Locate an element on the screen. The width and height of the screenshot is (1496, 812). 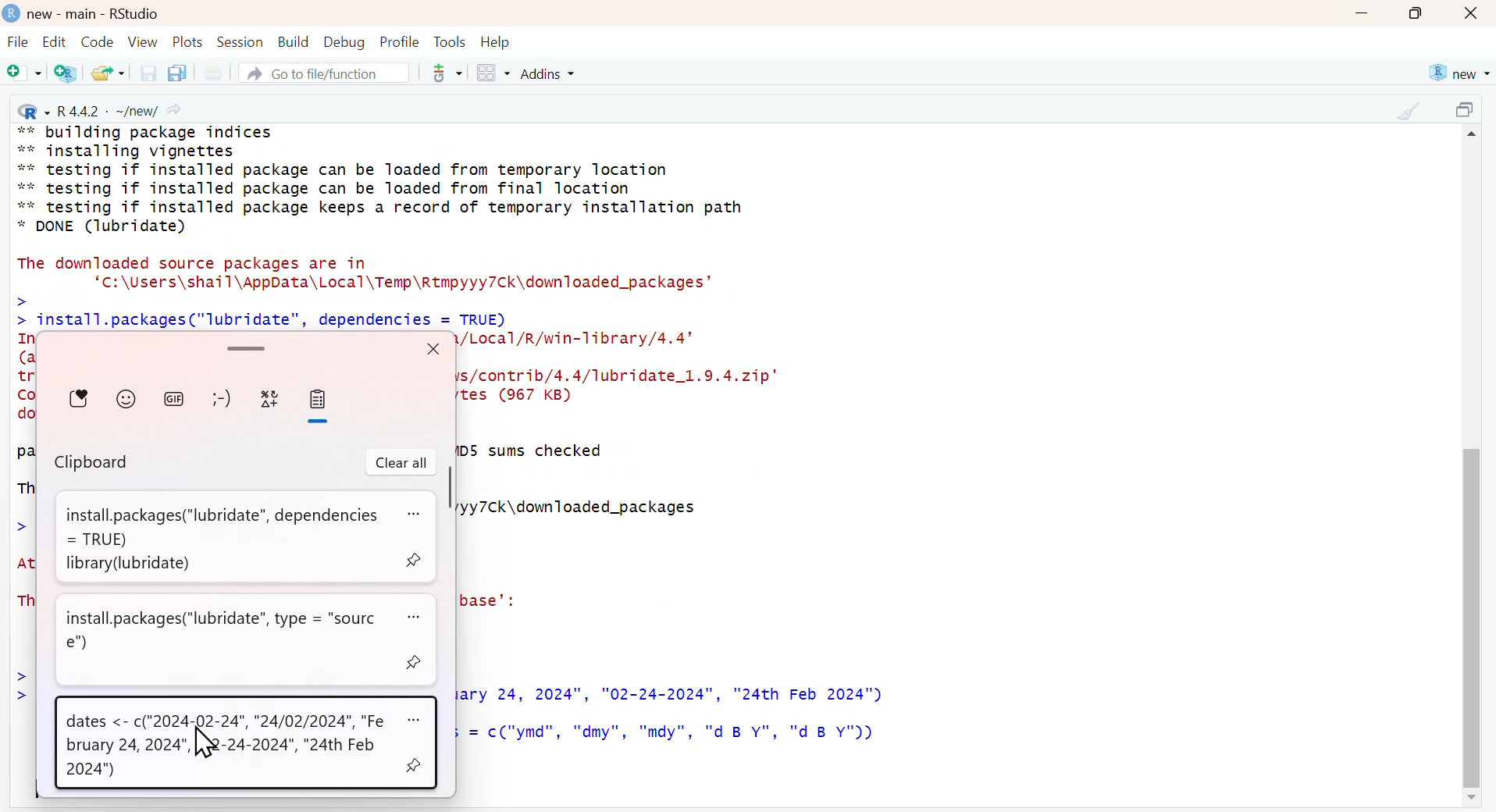
scroll bar is located at coordinates (1471, 612).